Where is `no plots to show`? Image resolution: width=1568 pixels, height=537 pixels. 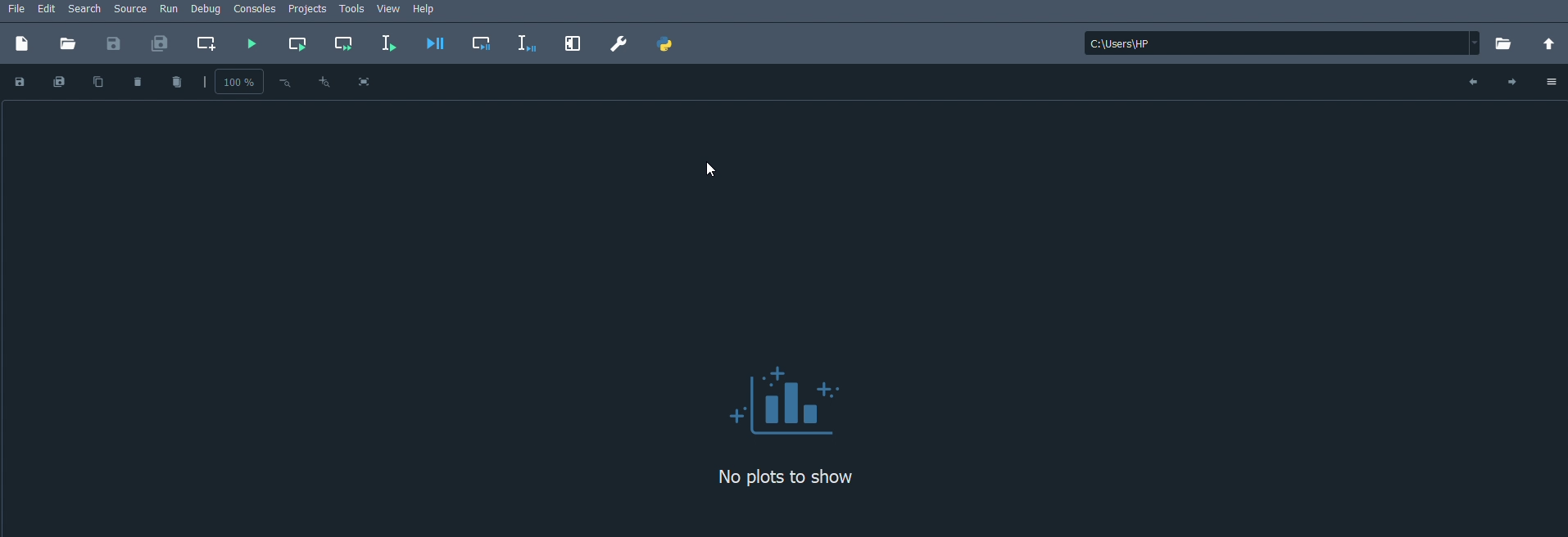
no plots to show is located at coordinates (786, 476).